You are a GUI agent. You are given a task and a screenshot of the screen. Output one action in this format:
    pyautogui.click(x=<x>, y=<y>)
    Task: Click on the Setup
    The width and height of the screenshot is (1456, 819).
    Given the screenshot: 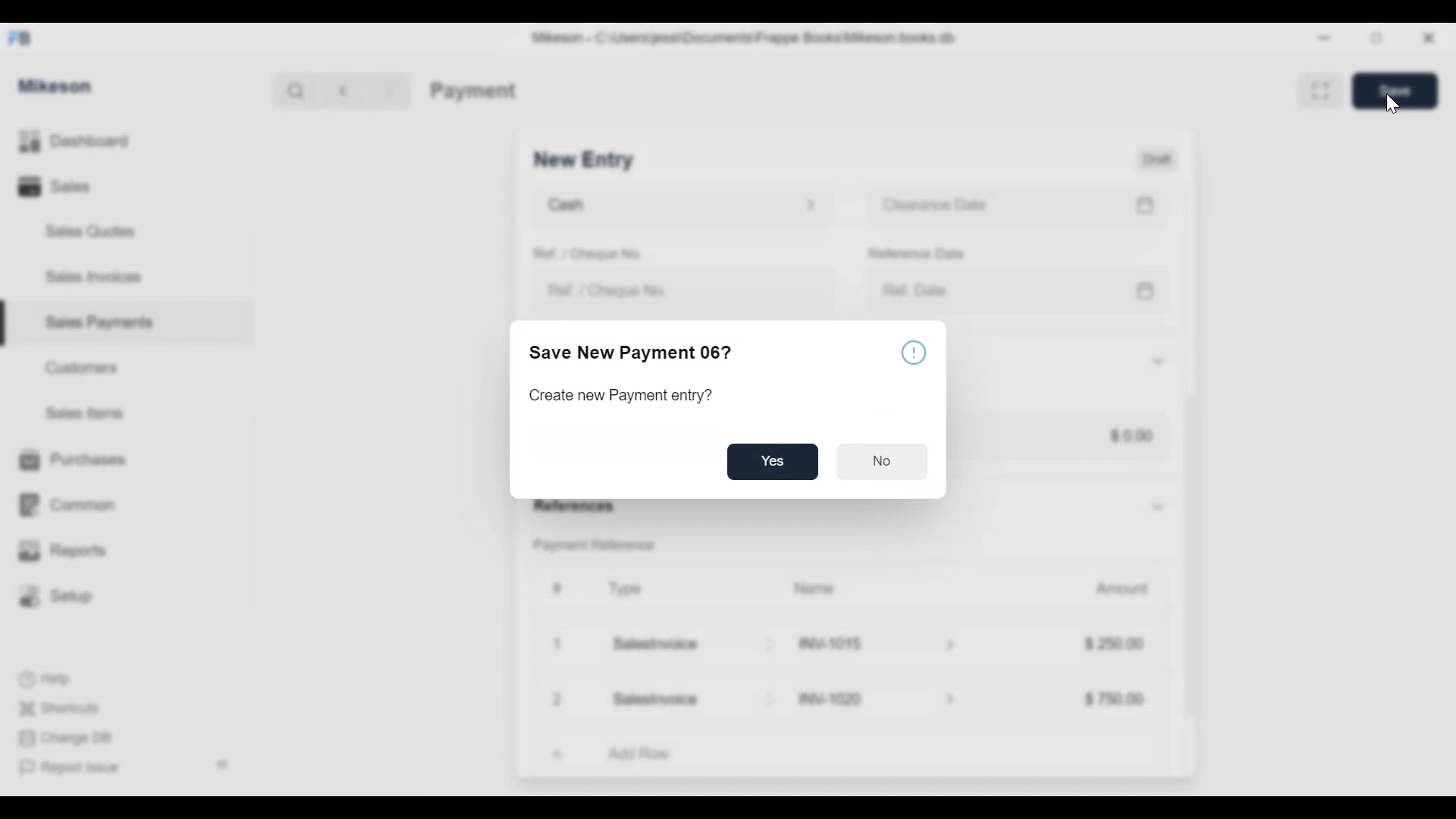 What is the action you would take?
    pyautogui.click(x=61, y=597)
    